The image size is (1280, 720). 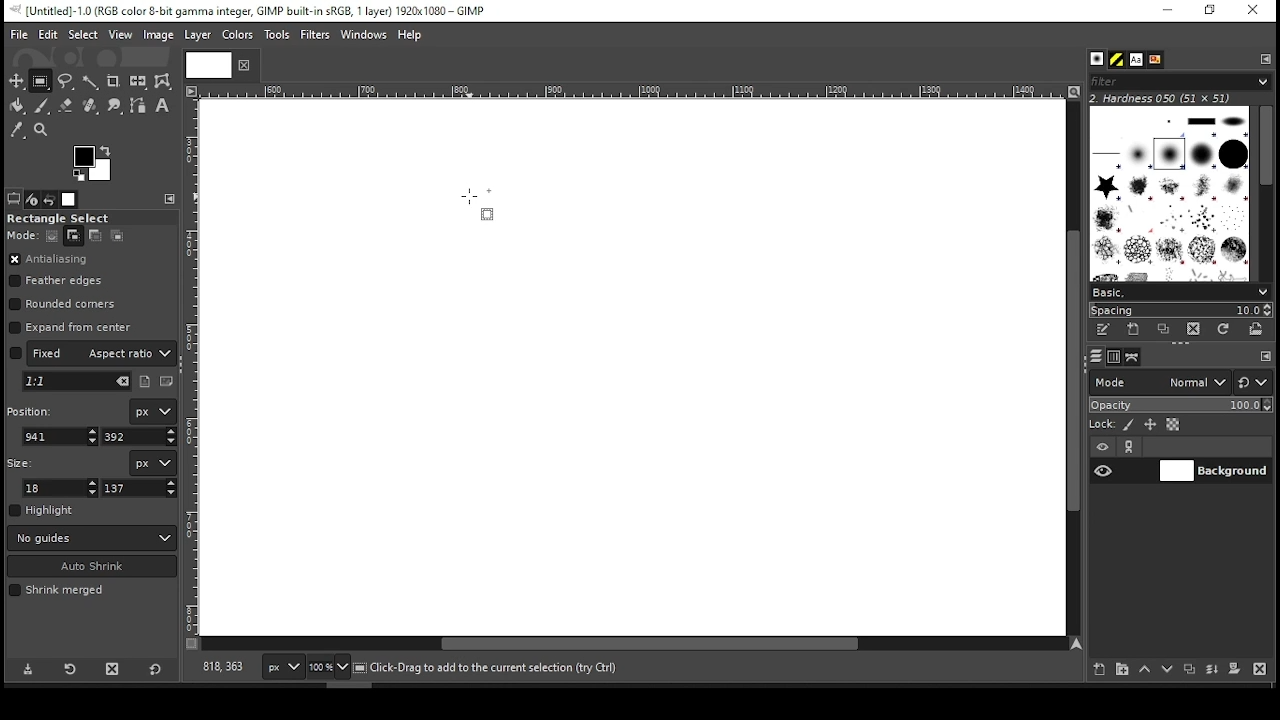 What do you see at coordinates (1159, 384) in the screenshot?
I see `mode` at bounding box center [1159, 384].